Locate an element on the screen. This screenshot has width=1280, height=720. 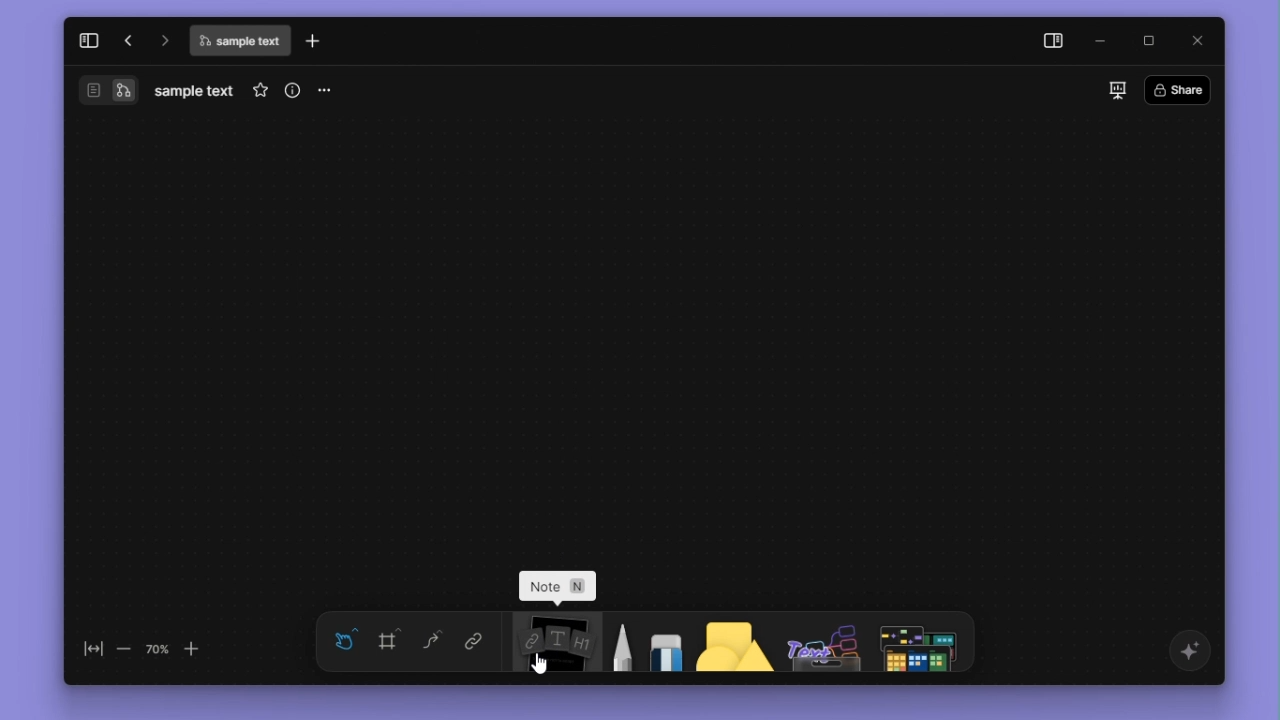
Note N is located at coordinates (555, 642).